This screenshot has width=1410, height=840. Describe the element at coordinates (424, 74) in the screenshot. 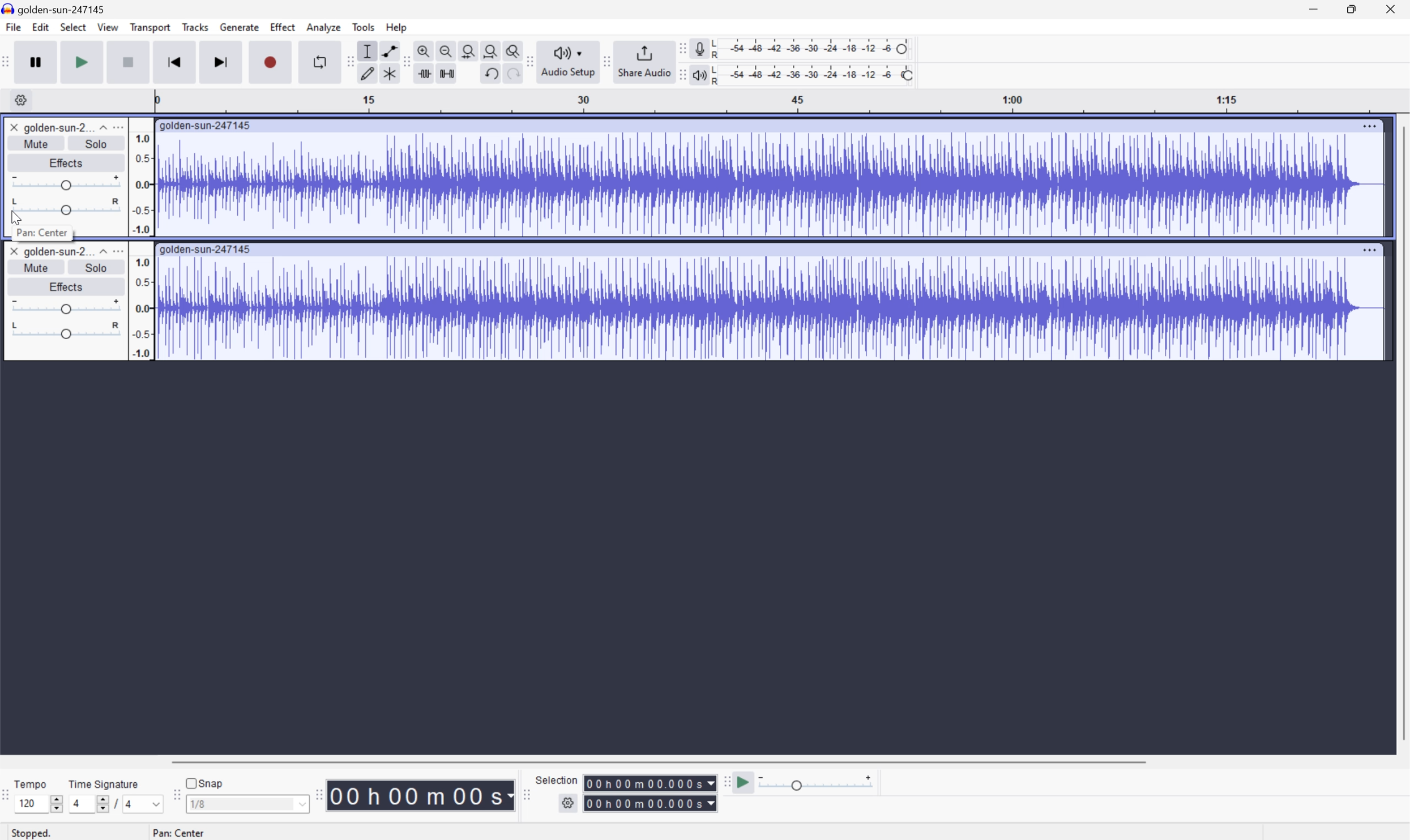

I see `Trim audio outside selection` at that location.